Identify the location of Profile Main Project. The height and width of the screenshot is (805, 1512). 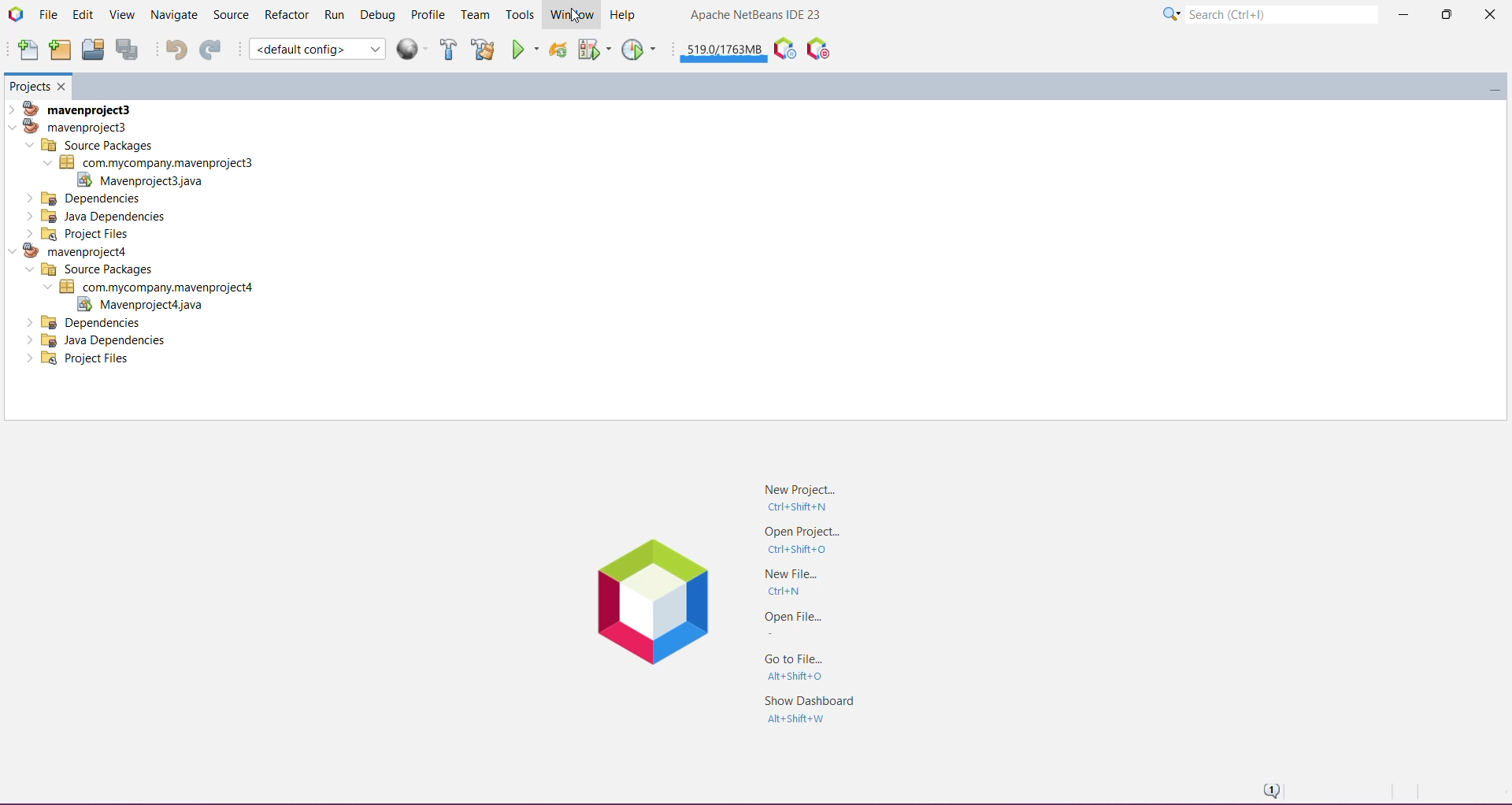
(640, 49).